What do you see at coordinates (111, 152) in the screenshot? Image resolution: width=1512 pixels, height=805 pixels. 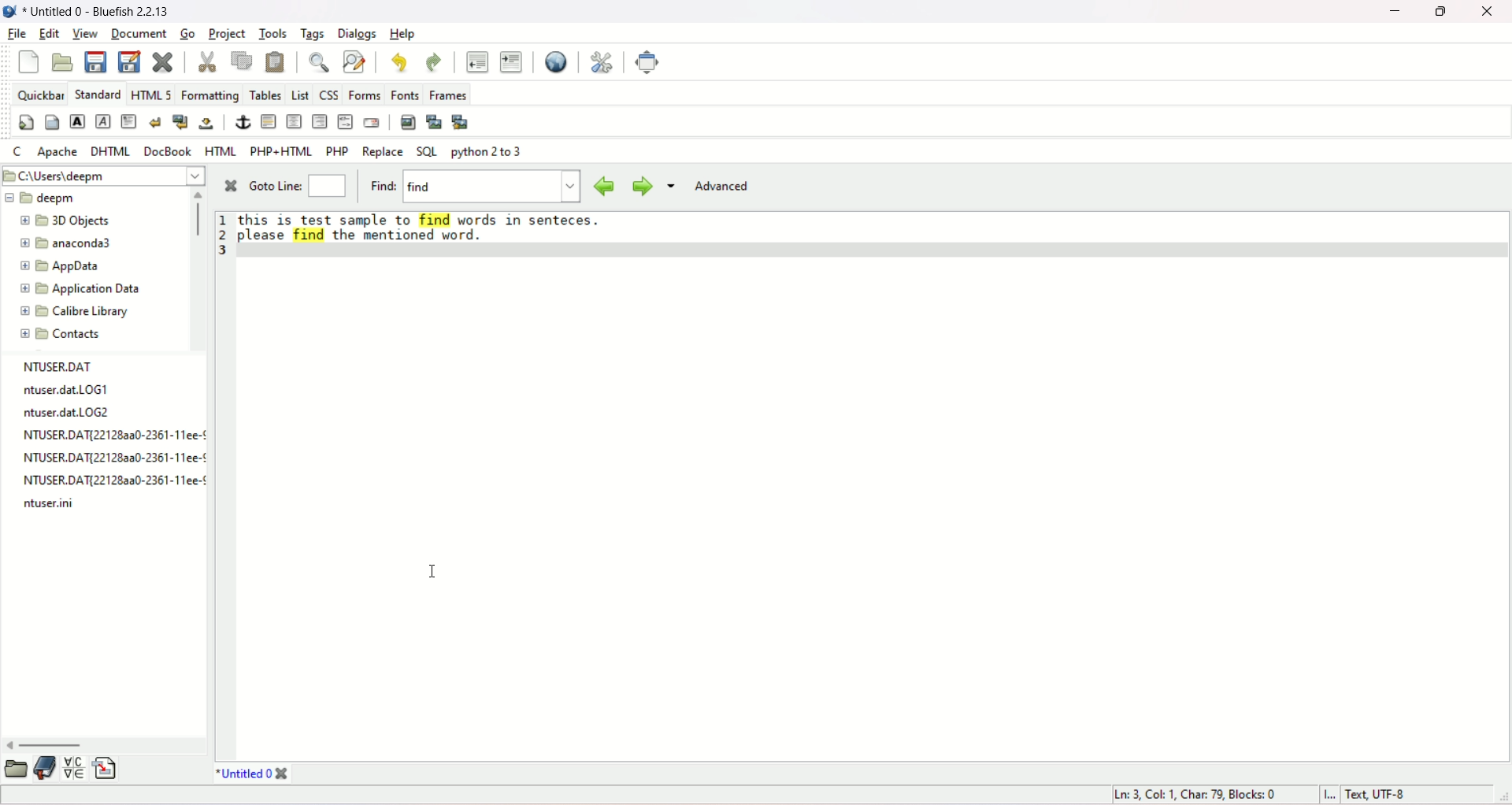 I see `DHTML` at bounding box center [111, 152].